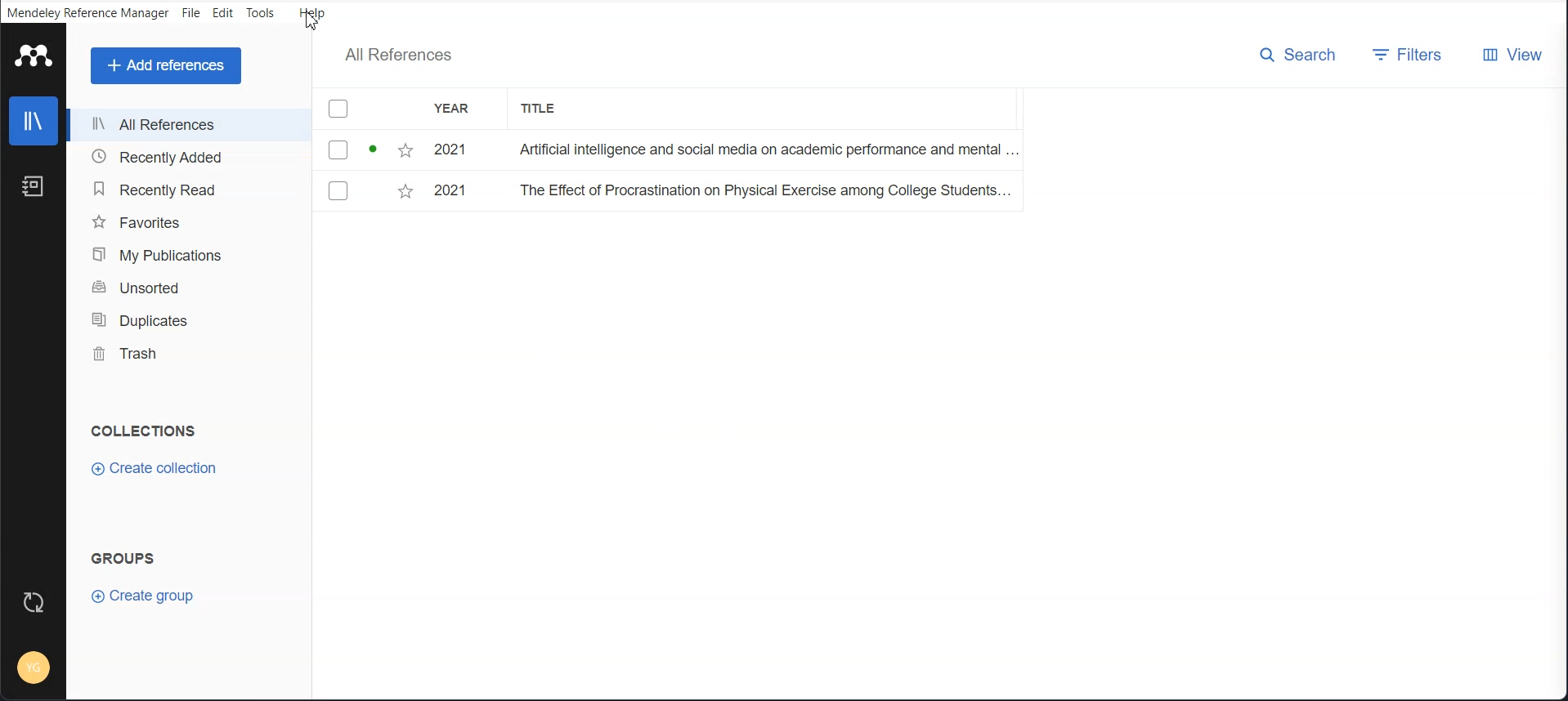 Image resolution: width=1568 pixels, height=701 pixels. I want to click on File, so click(665, 191).